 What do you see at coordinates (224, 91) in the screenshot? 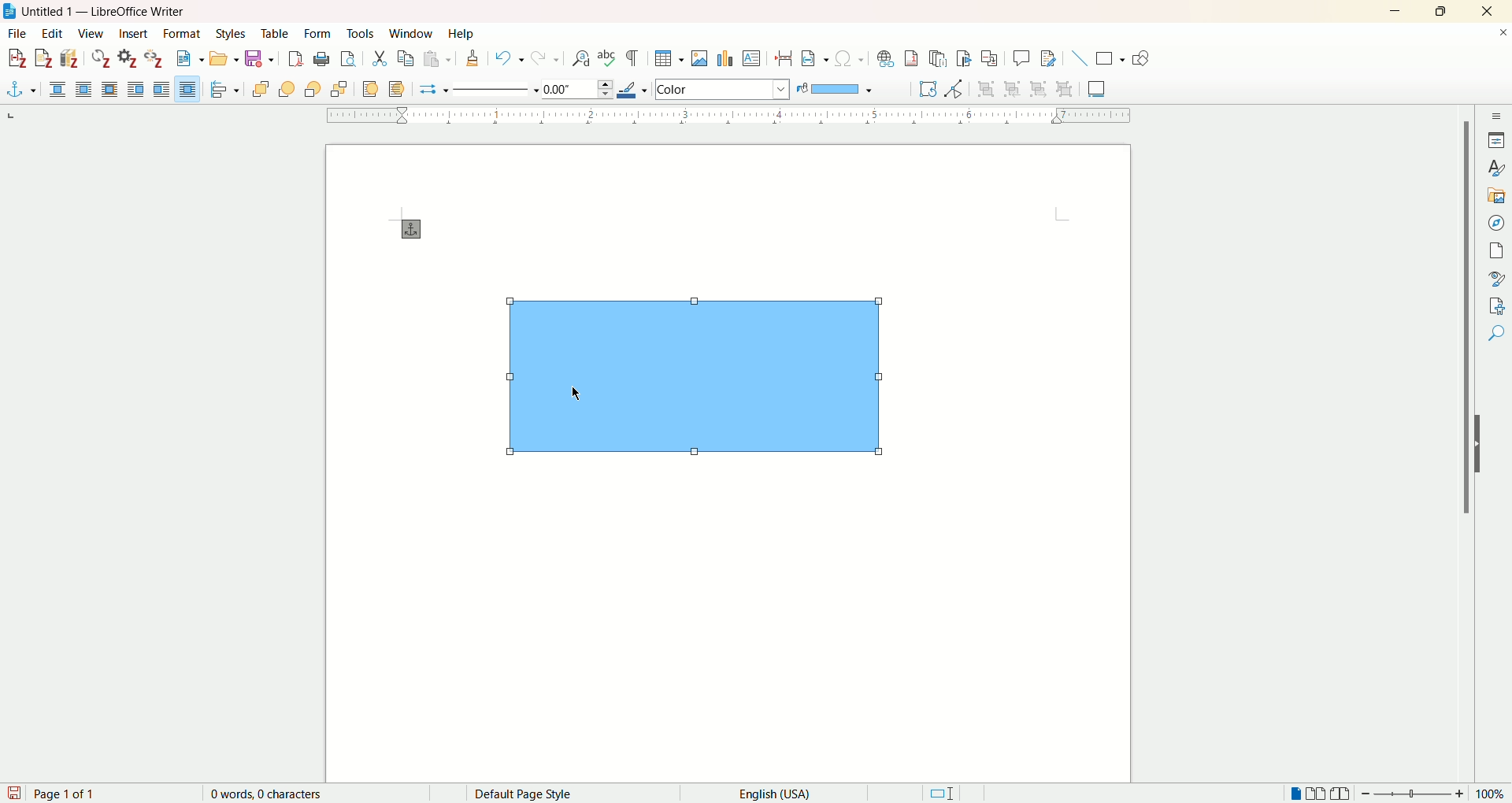
I see `align objects` at bounding box center [224, 91].